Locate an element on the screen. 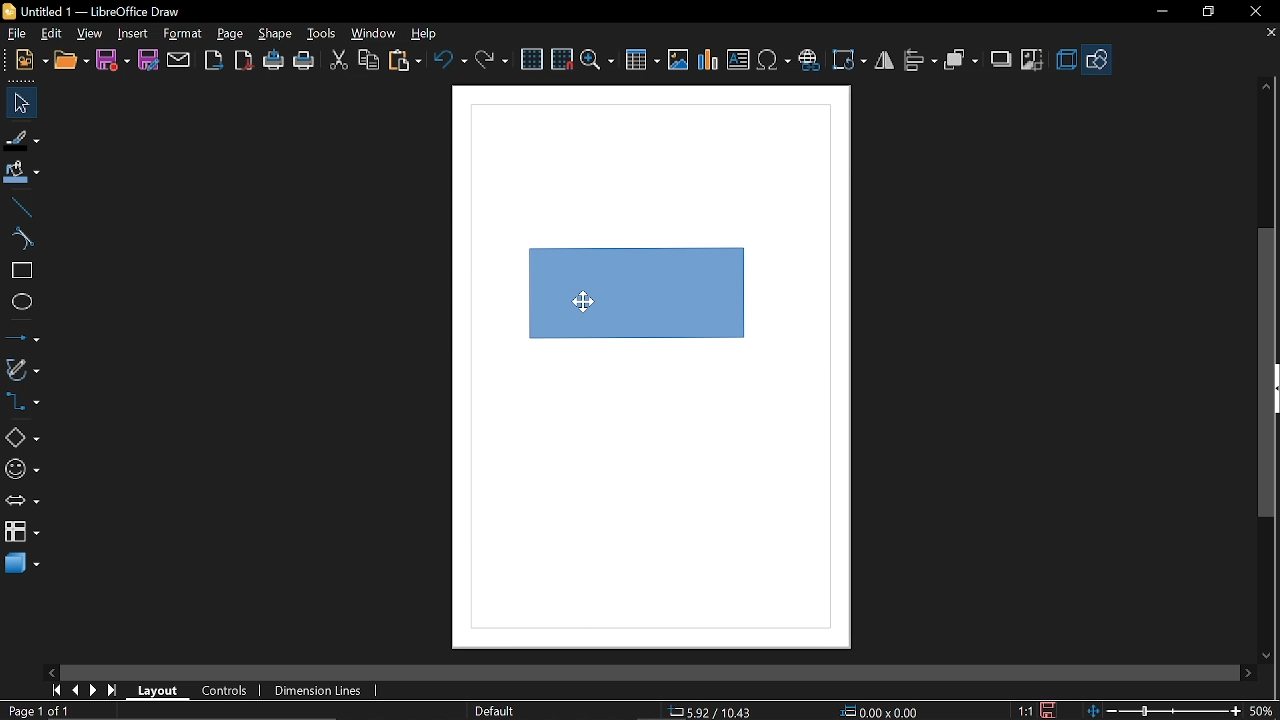 The width and height of the screenshot is (1280, 720). print directly is located at coordinates (273, 62).